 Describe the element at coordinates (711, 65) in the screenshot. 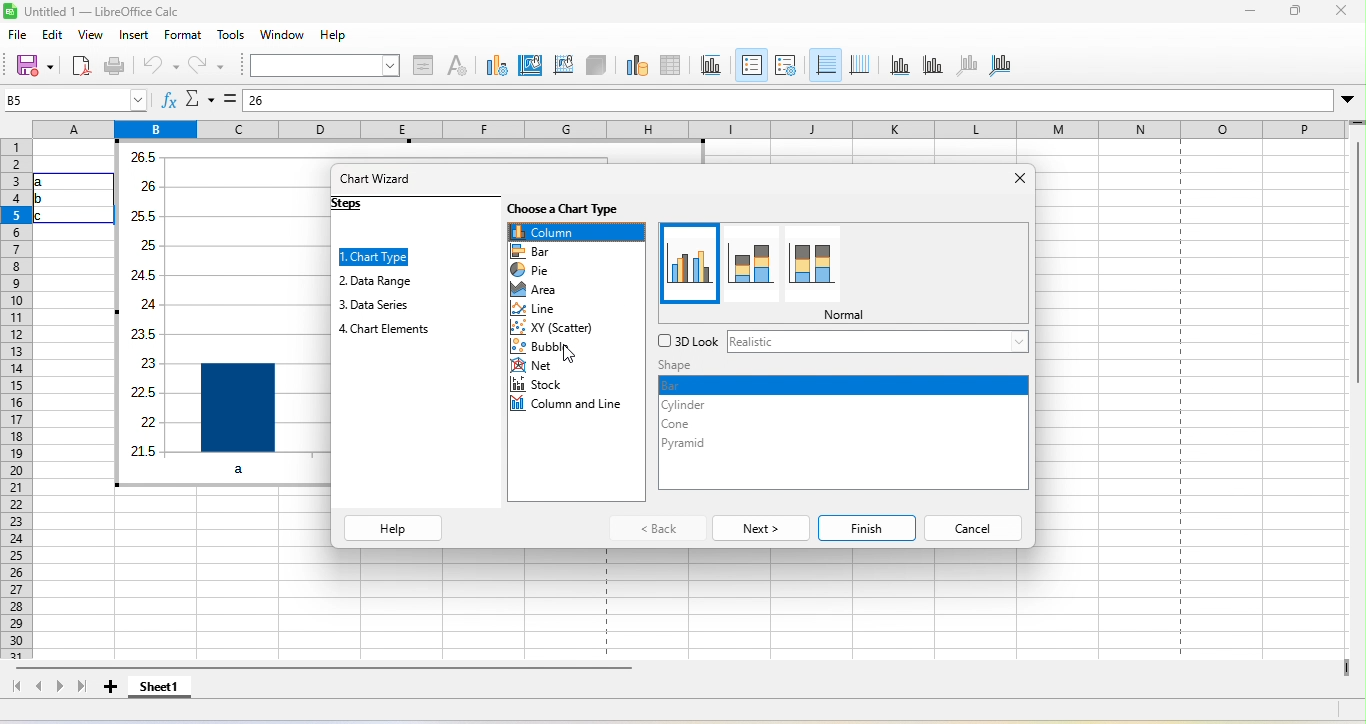

I see `title` at that location.